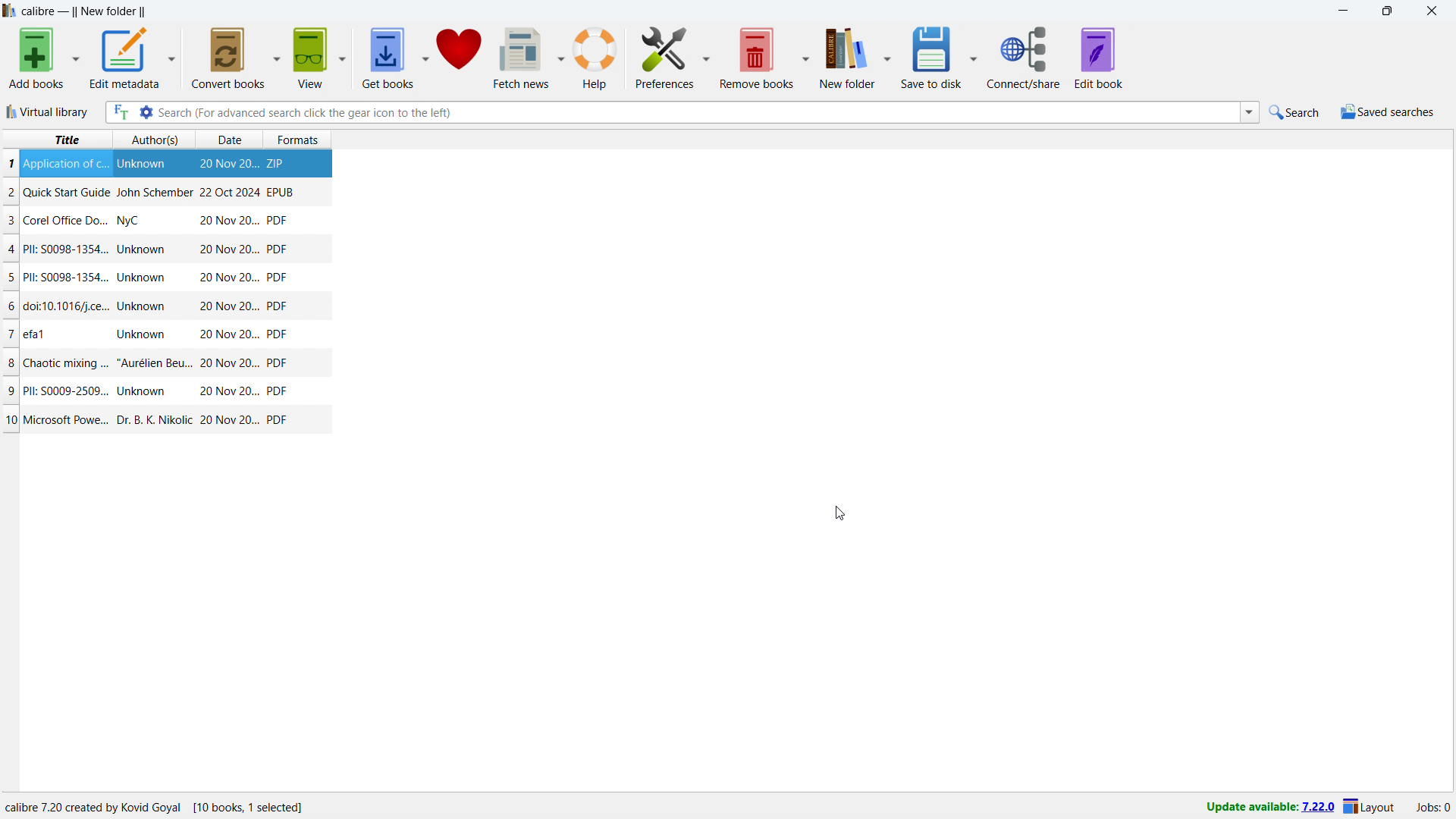 Image resolution: width=1456 pixels, height=819 pixels. Describe the element at coordinates (852, 60) in the screenshot. I see `calibre library` at that location.